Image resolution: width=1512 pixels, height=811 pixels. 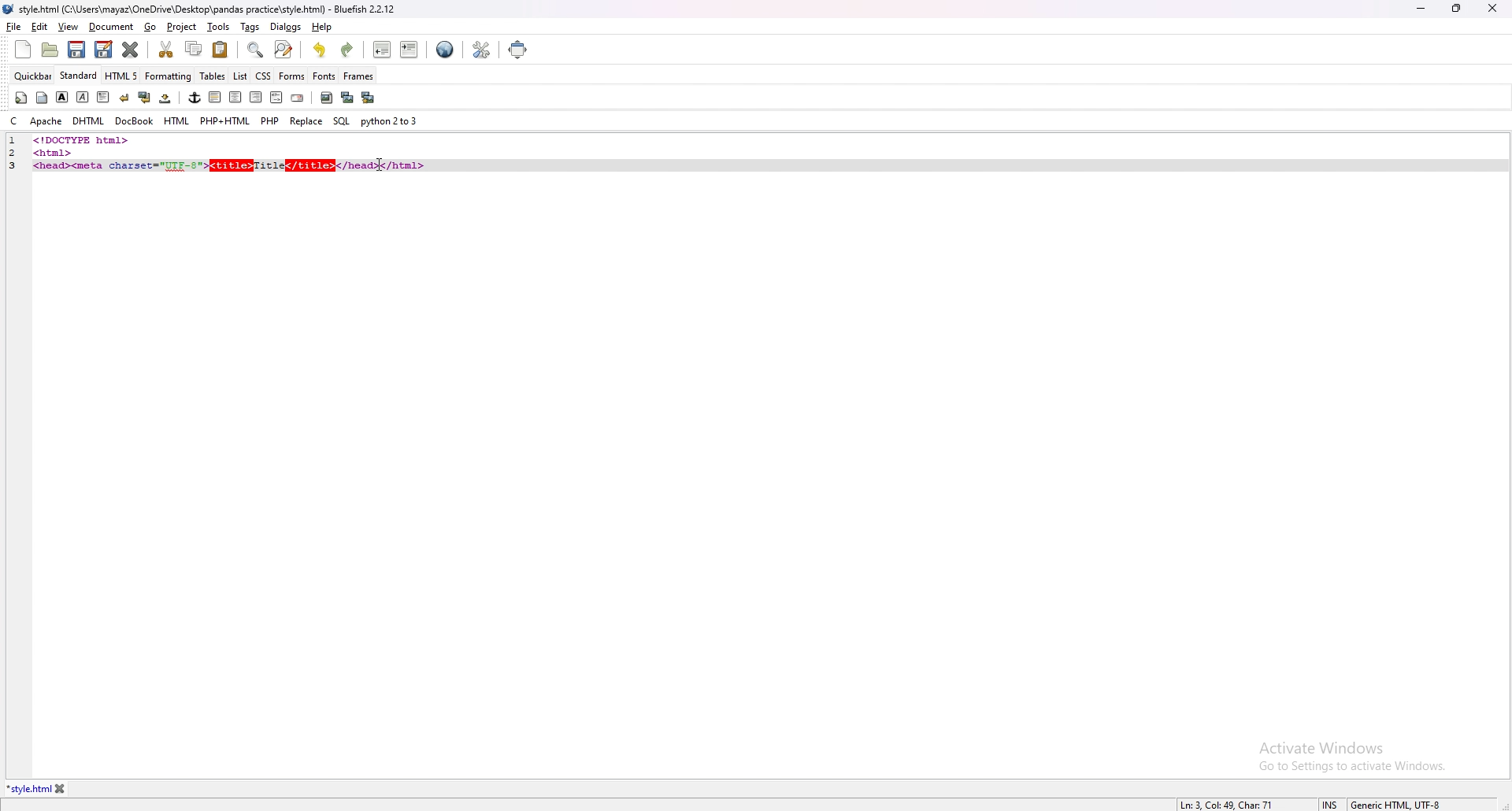 I want to click on resize, so click(x=1456, y=8).